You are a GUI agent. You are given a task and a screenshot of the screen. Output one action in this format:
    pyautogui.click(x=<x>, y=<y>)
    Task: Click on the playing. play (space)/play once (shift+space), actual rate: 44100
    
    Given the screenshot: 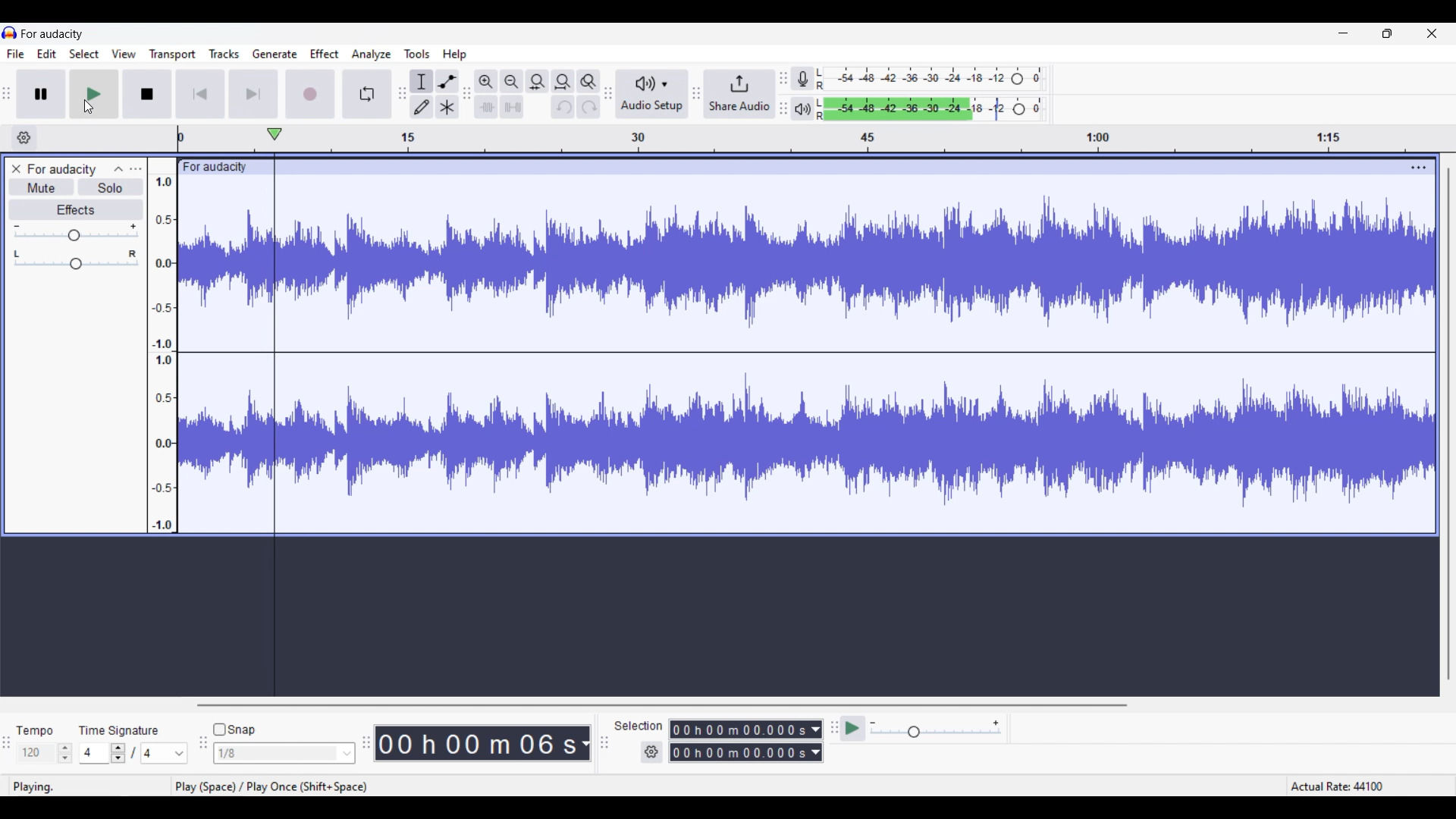 What is the action you would take?
    pyautogui.click(x=728, y=786)
    